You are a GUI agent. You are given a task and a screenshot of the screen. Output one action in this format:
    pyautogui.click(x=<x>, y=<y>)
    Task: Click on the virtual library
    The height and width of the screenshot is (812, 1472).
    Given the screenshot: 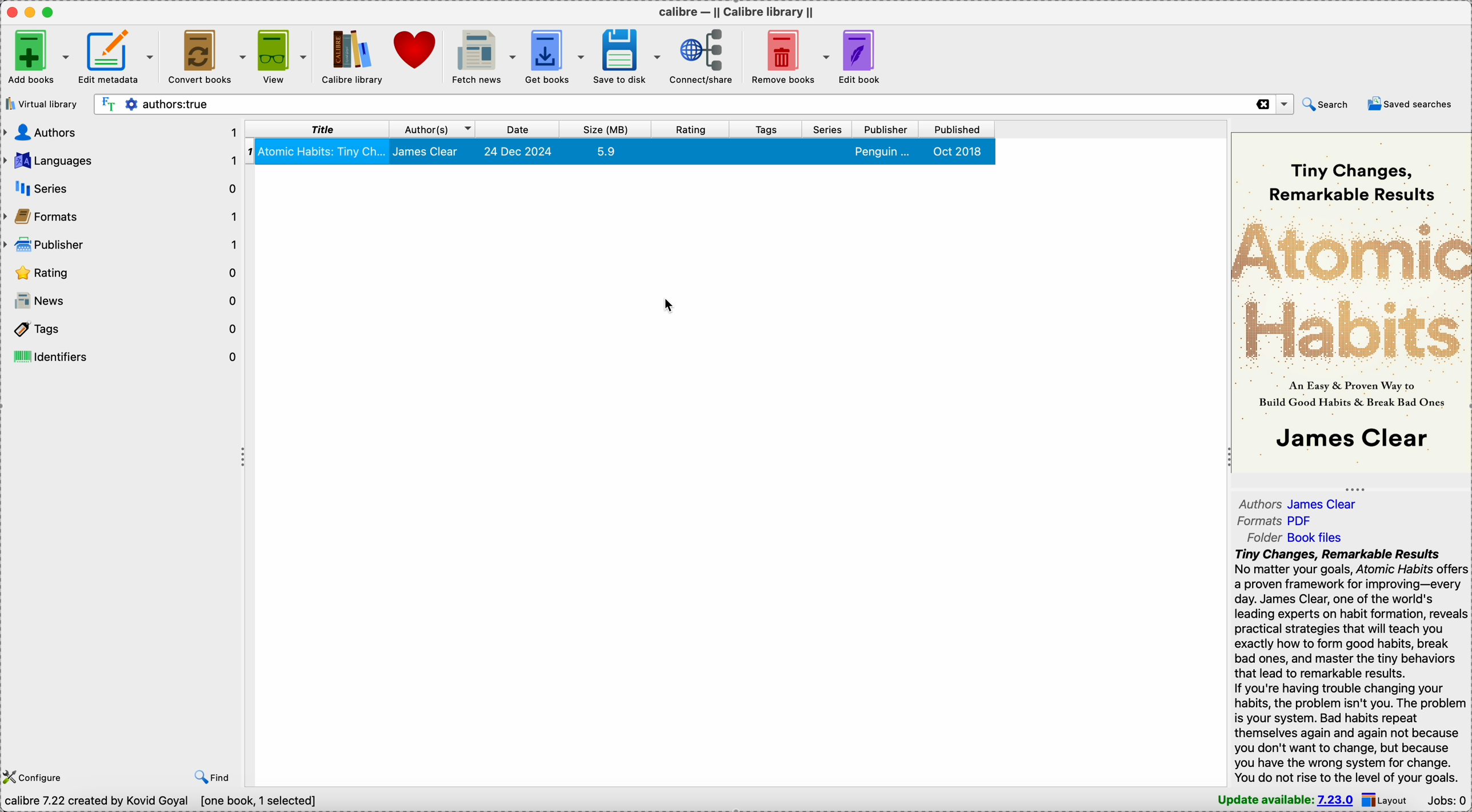 What is the action you would take?
    pyautogui.click(x=41, y=103)
    